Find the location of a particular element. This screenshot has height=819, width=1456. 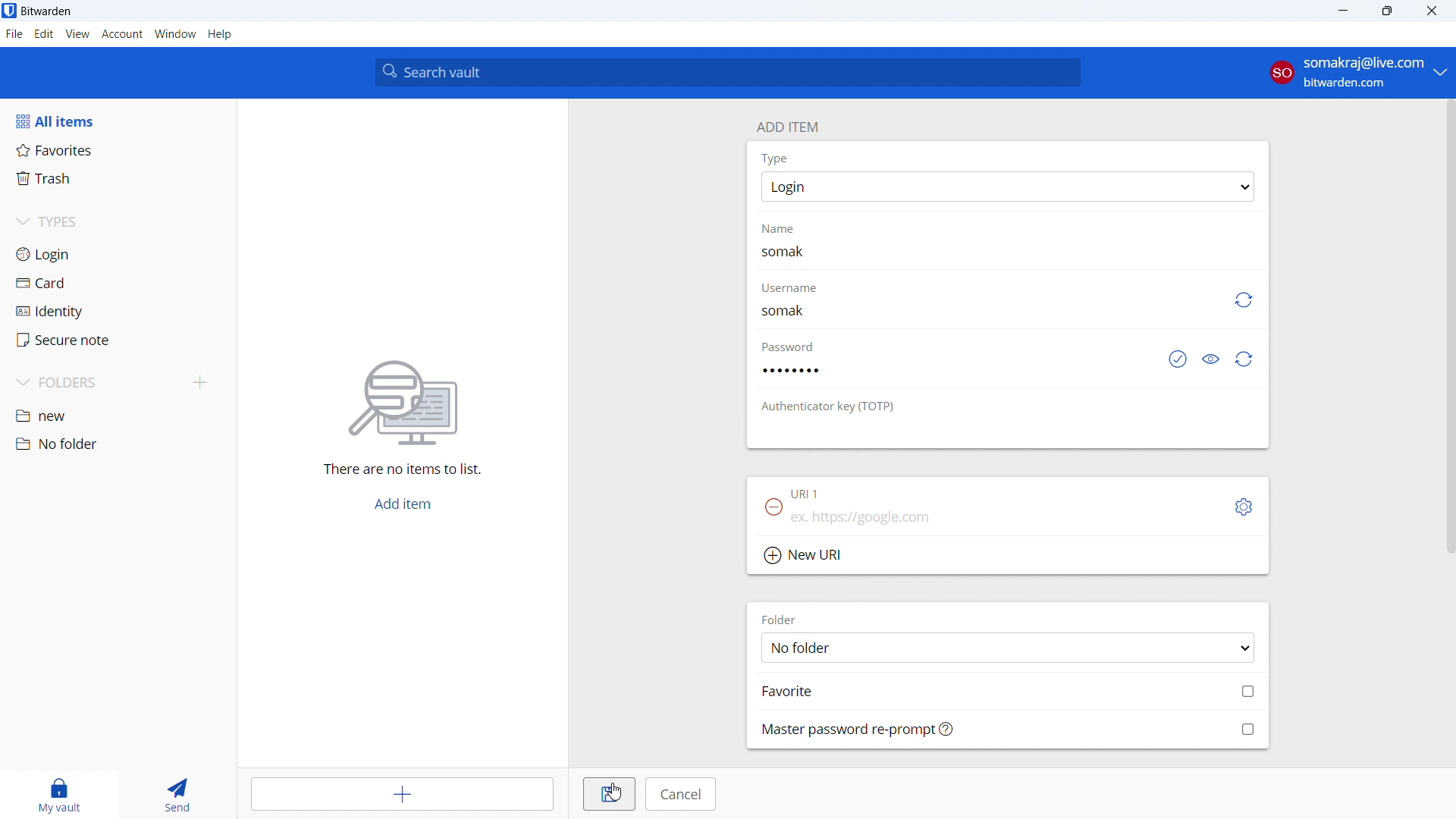

toggle options is located at coordinates (1244, 507).